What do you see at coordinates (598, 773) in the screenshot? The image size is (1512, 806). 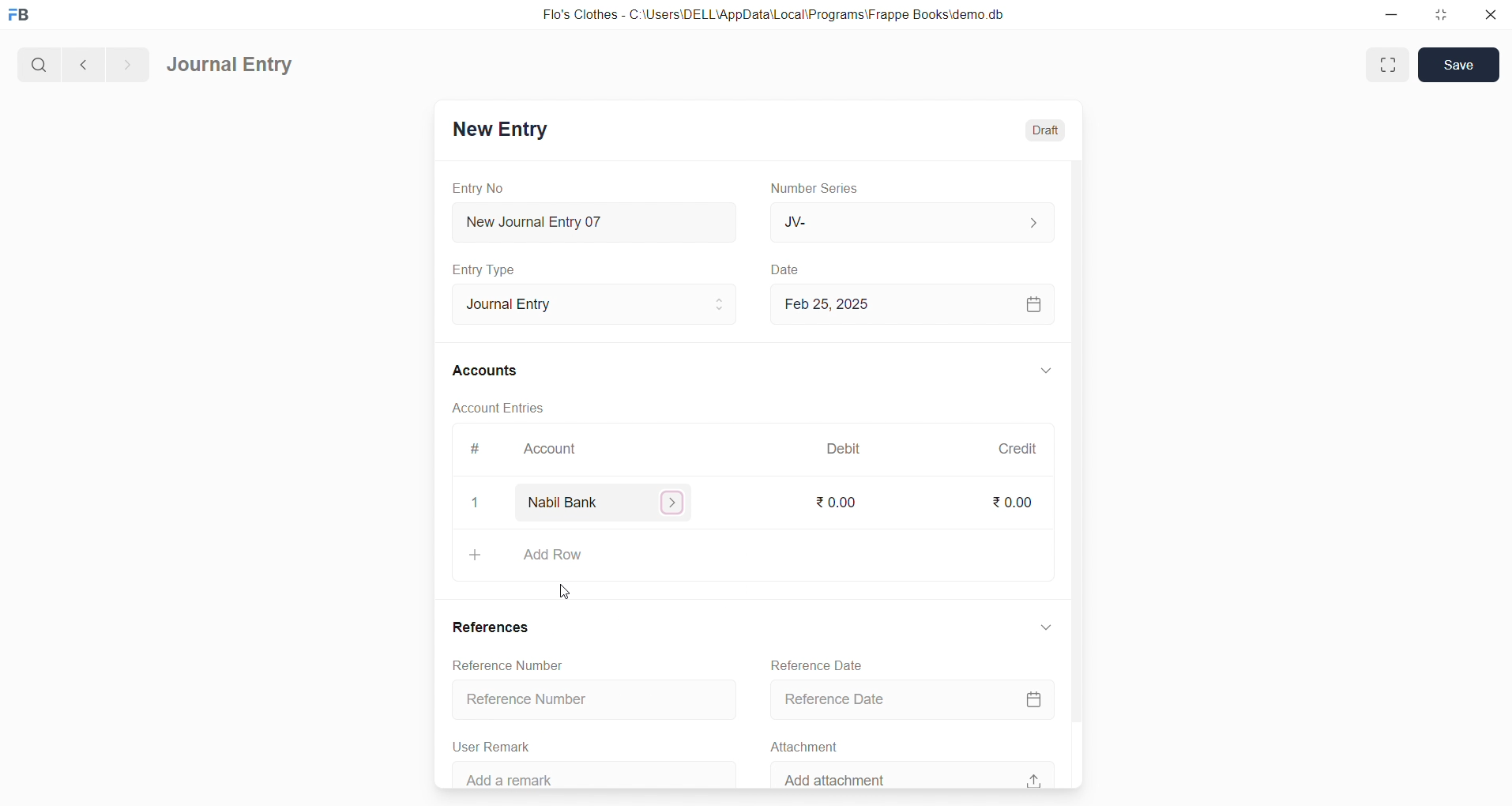 I see `‘Add a remark` at bounding box center [598, 773].